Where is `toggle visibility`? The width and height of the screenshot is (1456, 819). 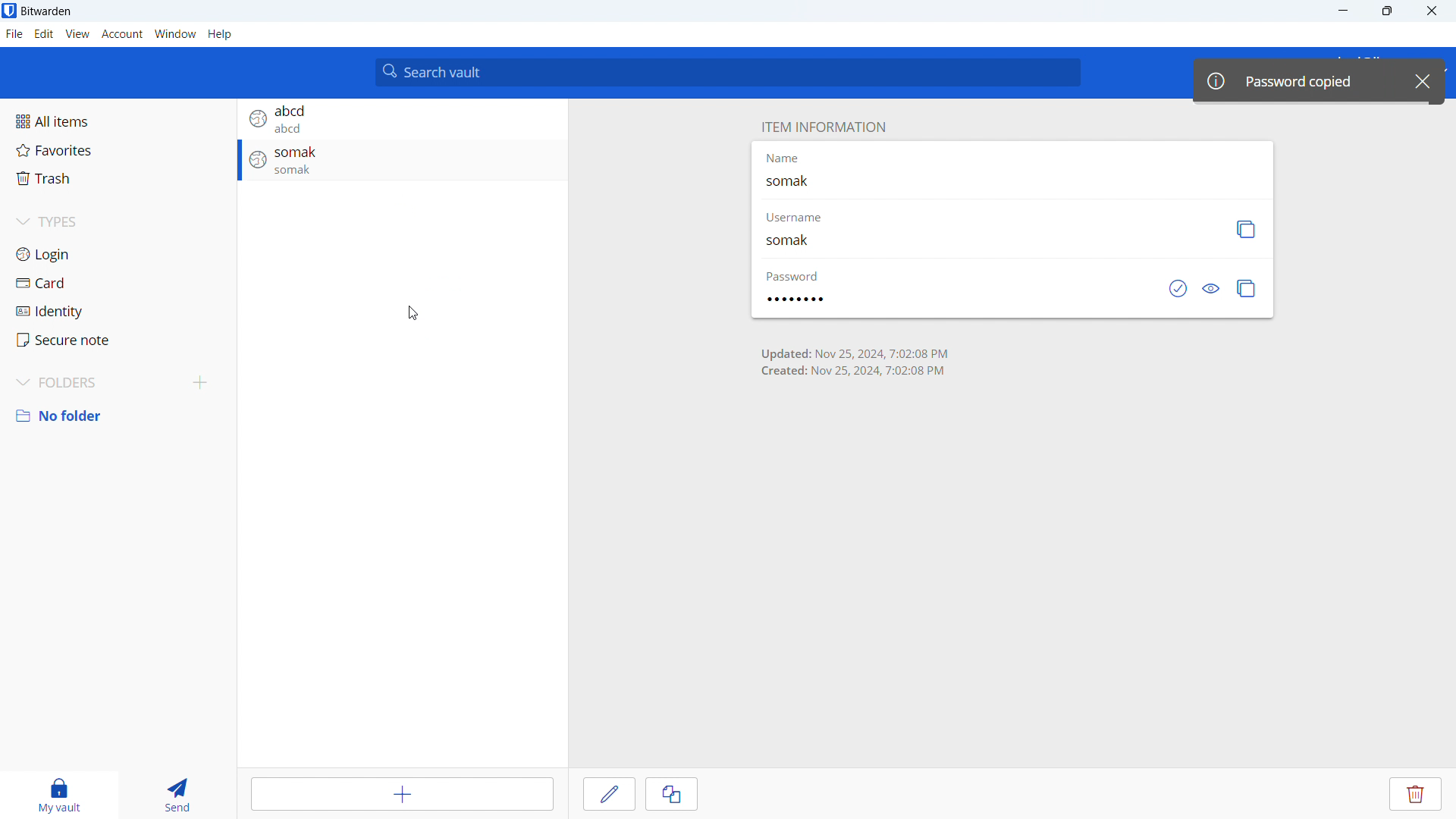 toggle visibility is located at coordinates (1212, 289).